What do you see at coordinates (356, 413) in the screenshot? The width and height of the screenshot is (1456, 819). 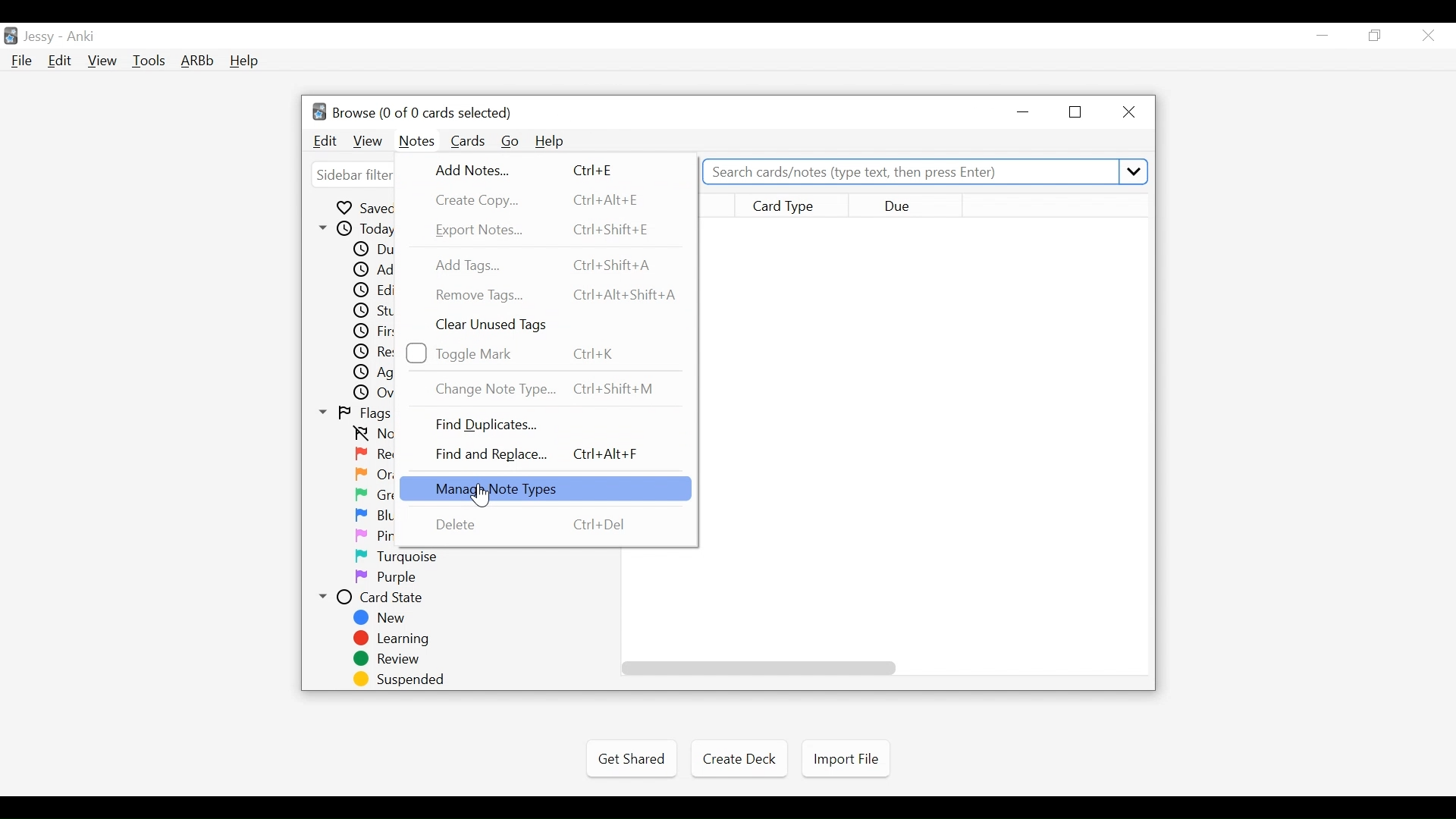 I see `Flags` at bounding box center [356, 413].